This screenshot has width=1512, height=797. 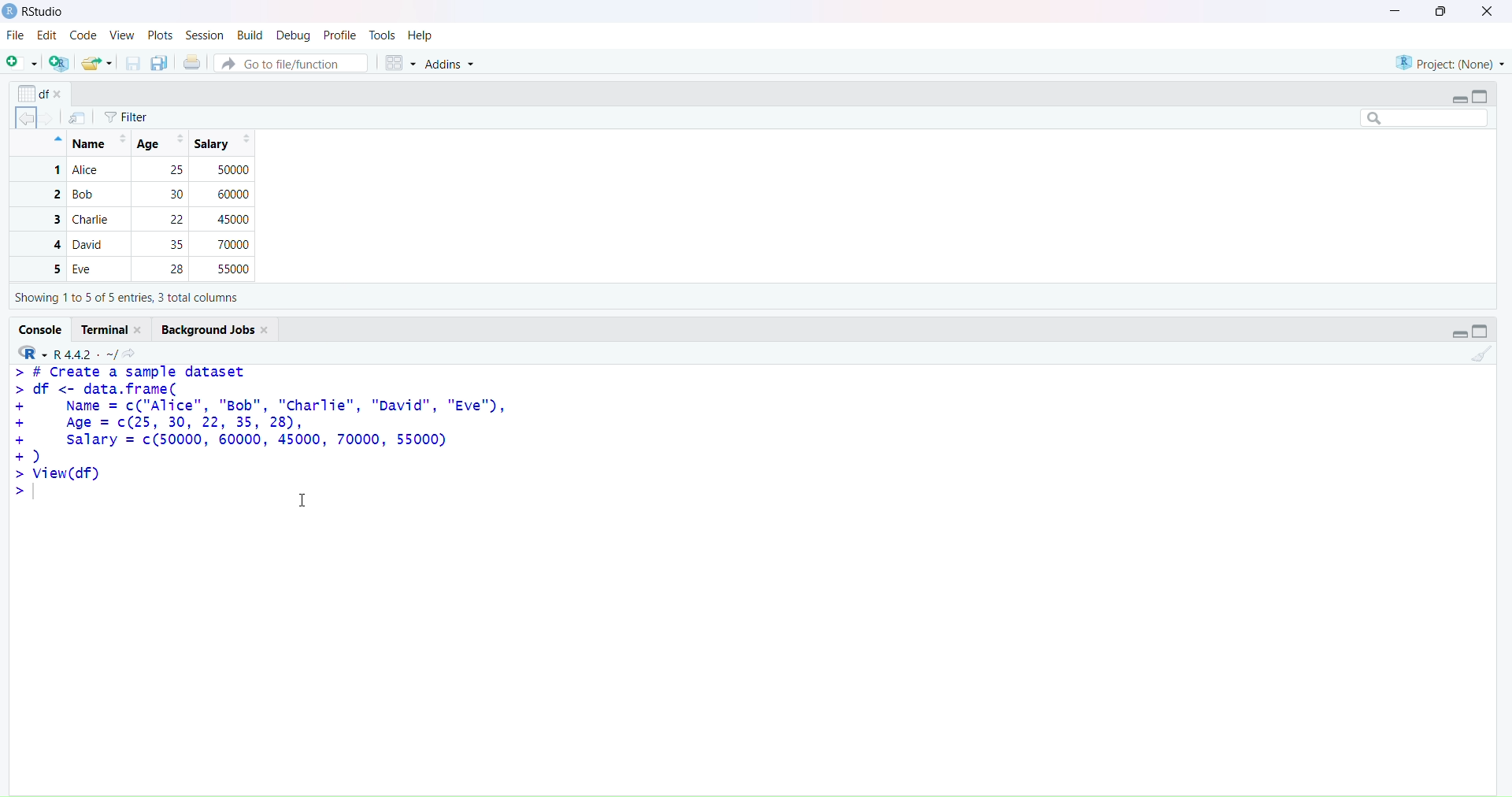 What do you see at coordinates (50, 118) in the screenshot?
I see `forward` at bounding box center [50, 118].